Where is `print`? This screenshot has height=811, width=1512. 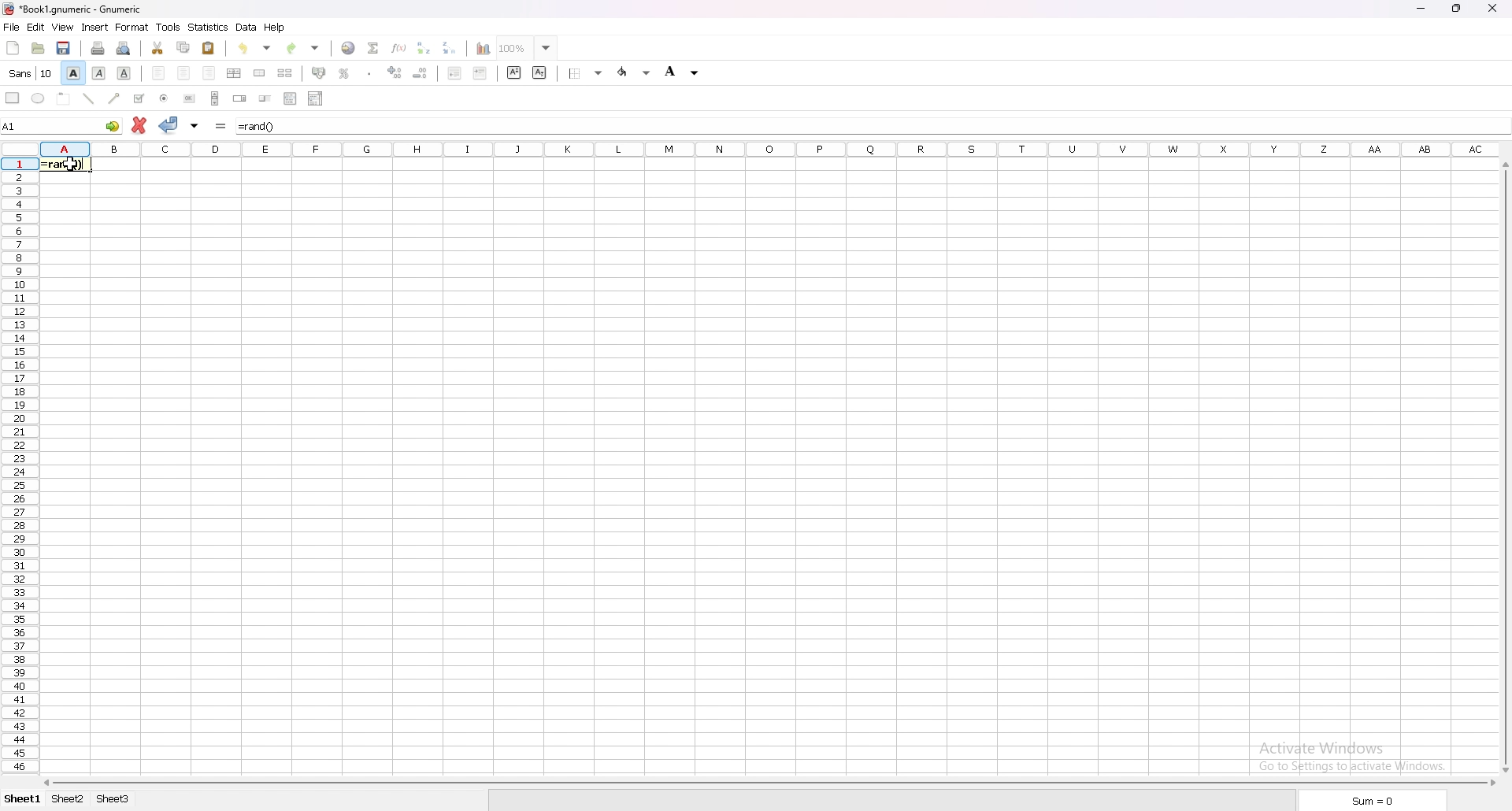
print is located at coordinates (98, 47).